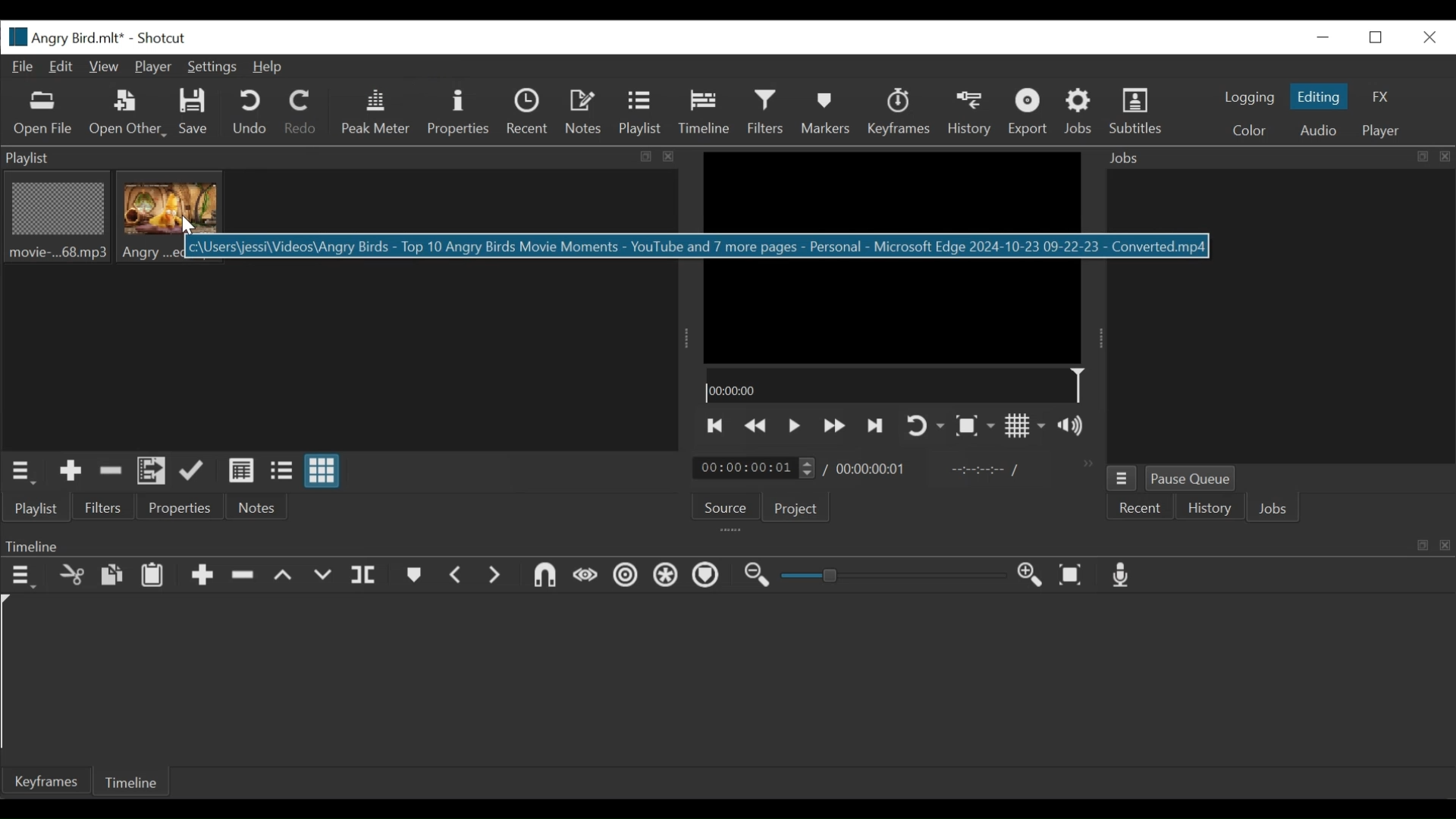 This screenshot has width=1456, height=819. What do you see at coordinates (1028, 113) in the screenshot?
I see `Export` at bounding box center [1028, 113].